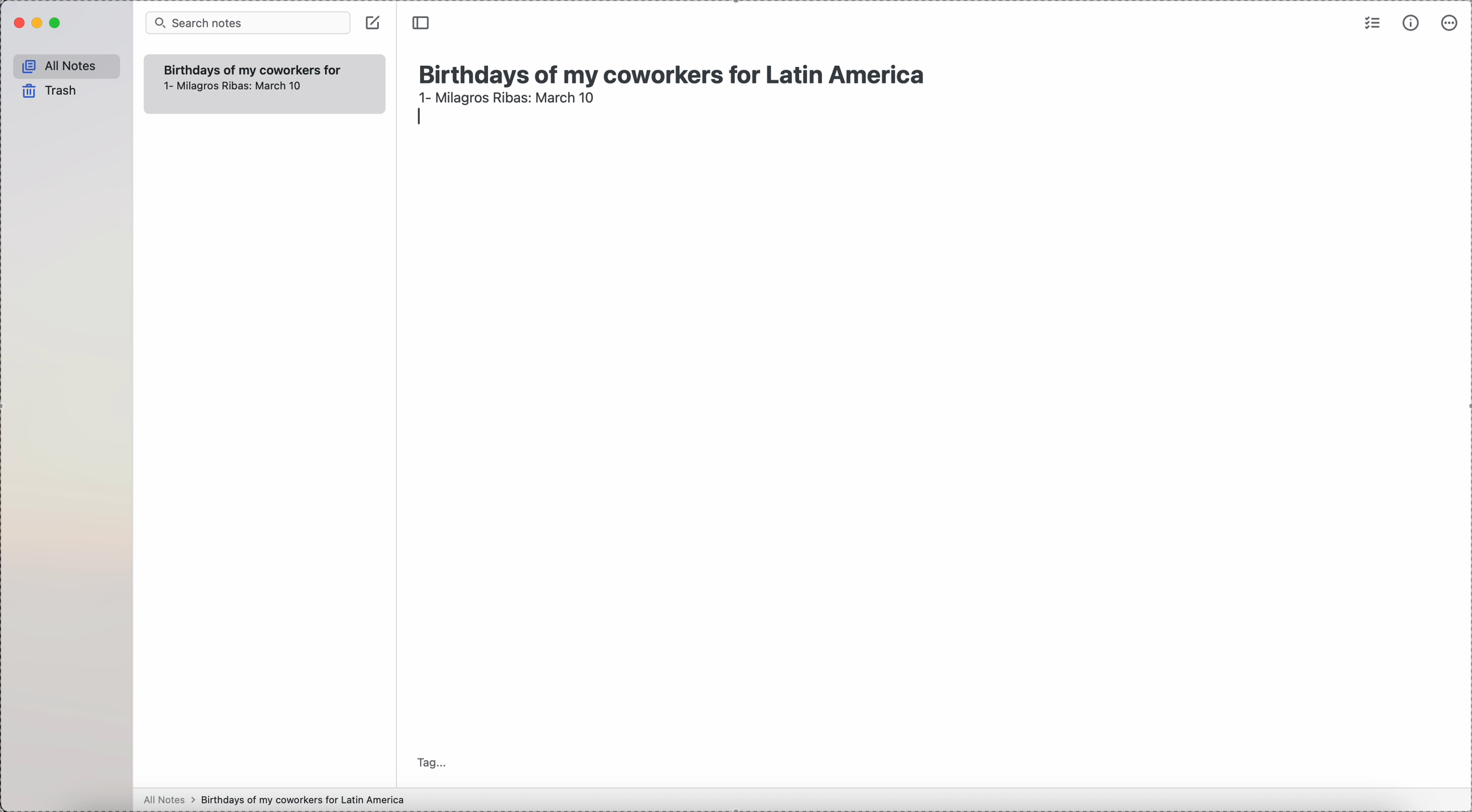 Image resolution: width=1472 pixels, height=812 pixels. What do you see at coordinates (1451, 22) in the screenshot?
I see `more options` at bounding box center [1451, 22].